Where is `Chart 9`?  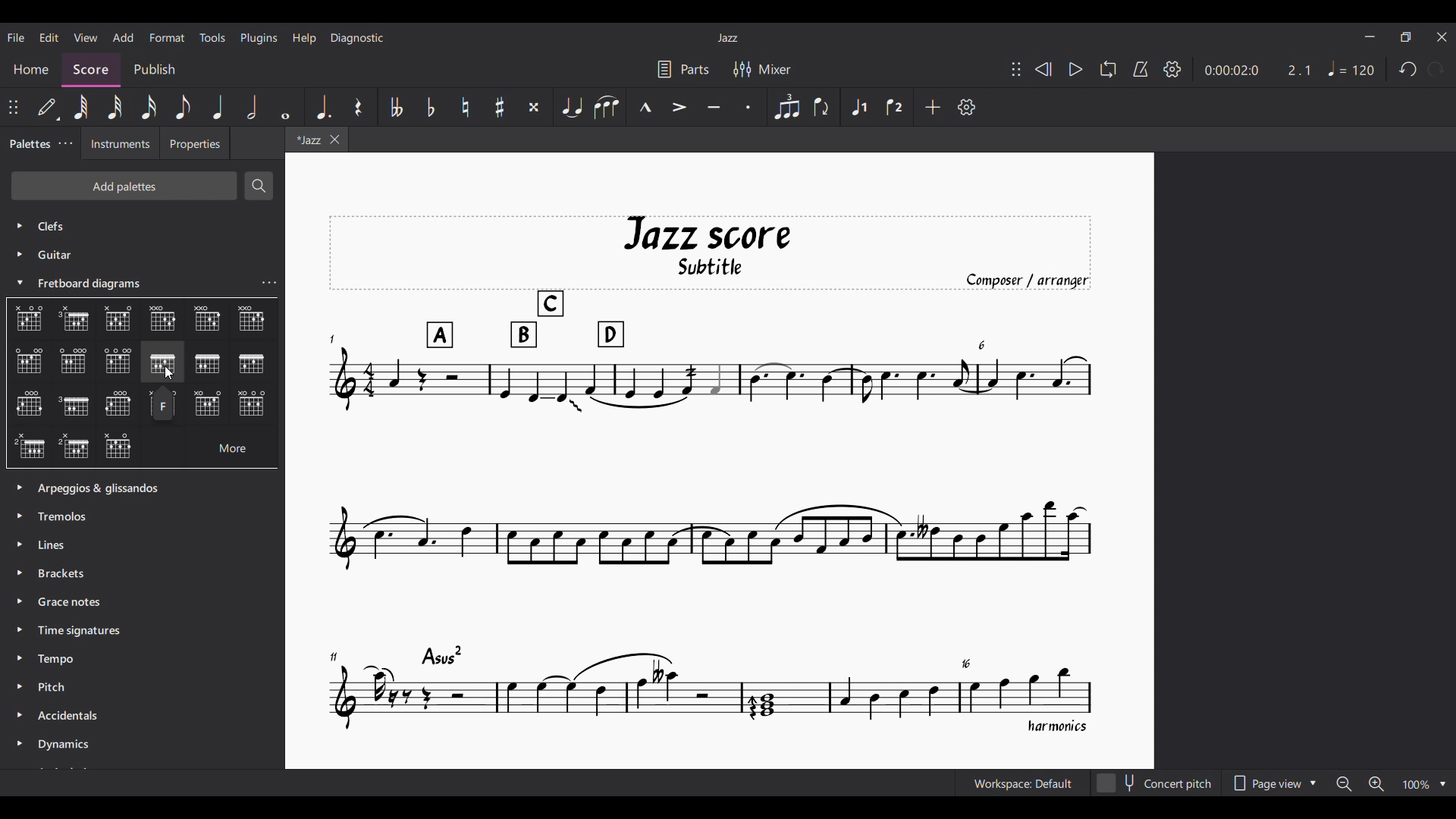
Chart 9 is located at coordinates (164, 362).